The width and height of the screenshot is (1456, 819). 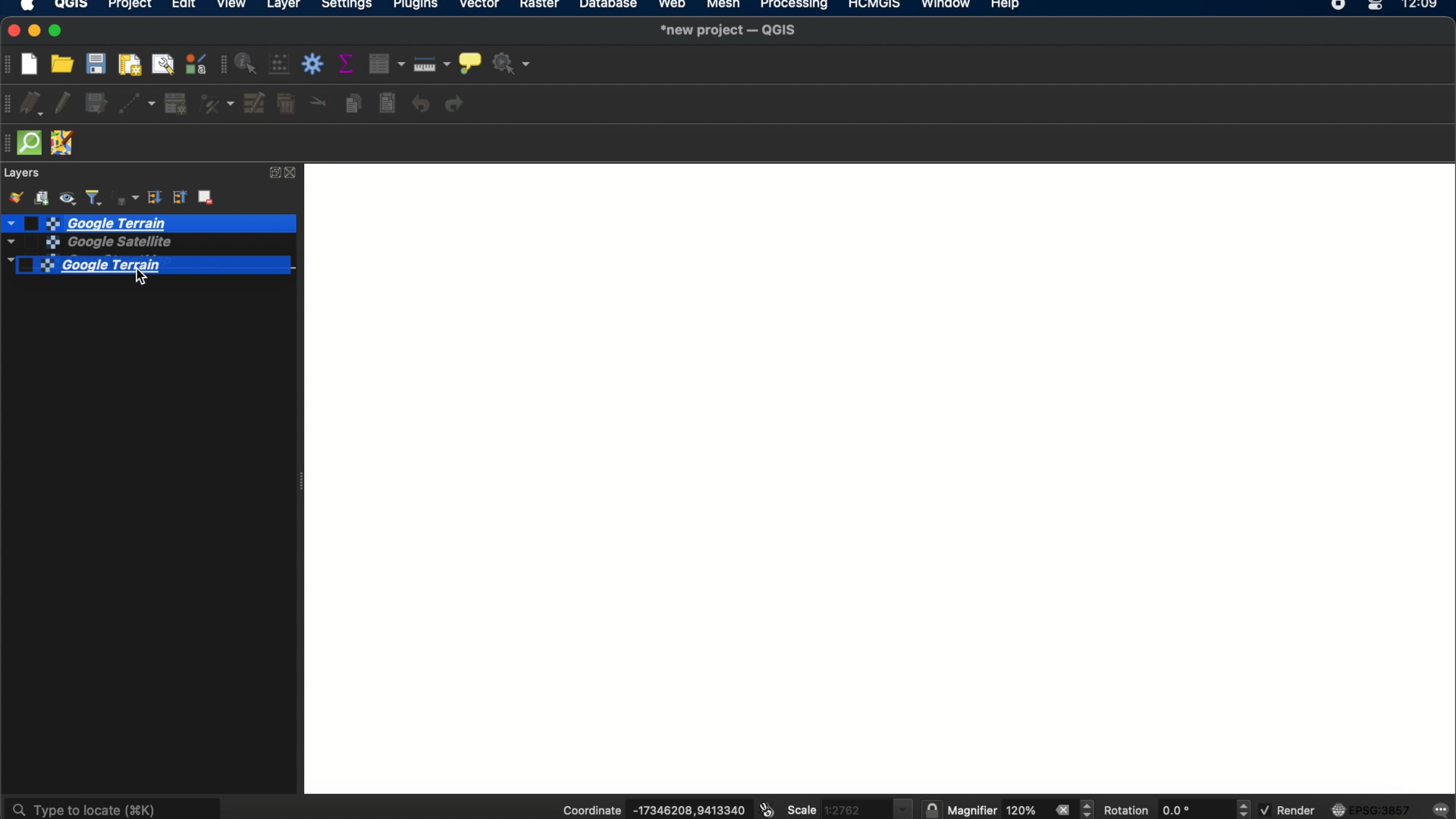 What do you see at coordinates (347, 6) in the screenshot?
I see `settings` at bounding box center [347, 6].